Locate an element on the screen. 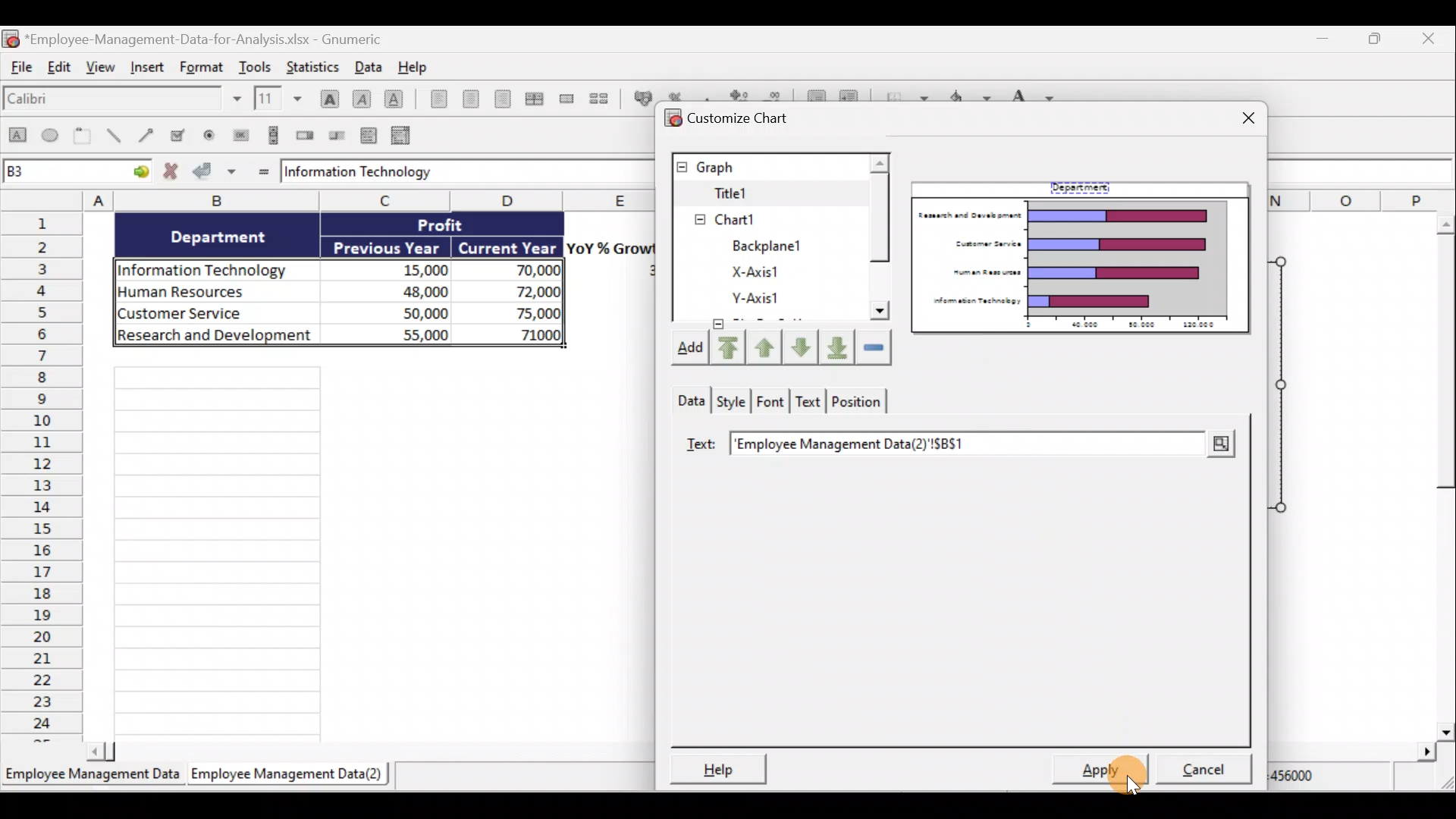  Scroll bar is located at coordinates (1438, 476).